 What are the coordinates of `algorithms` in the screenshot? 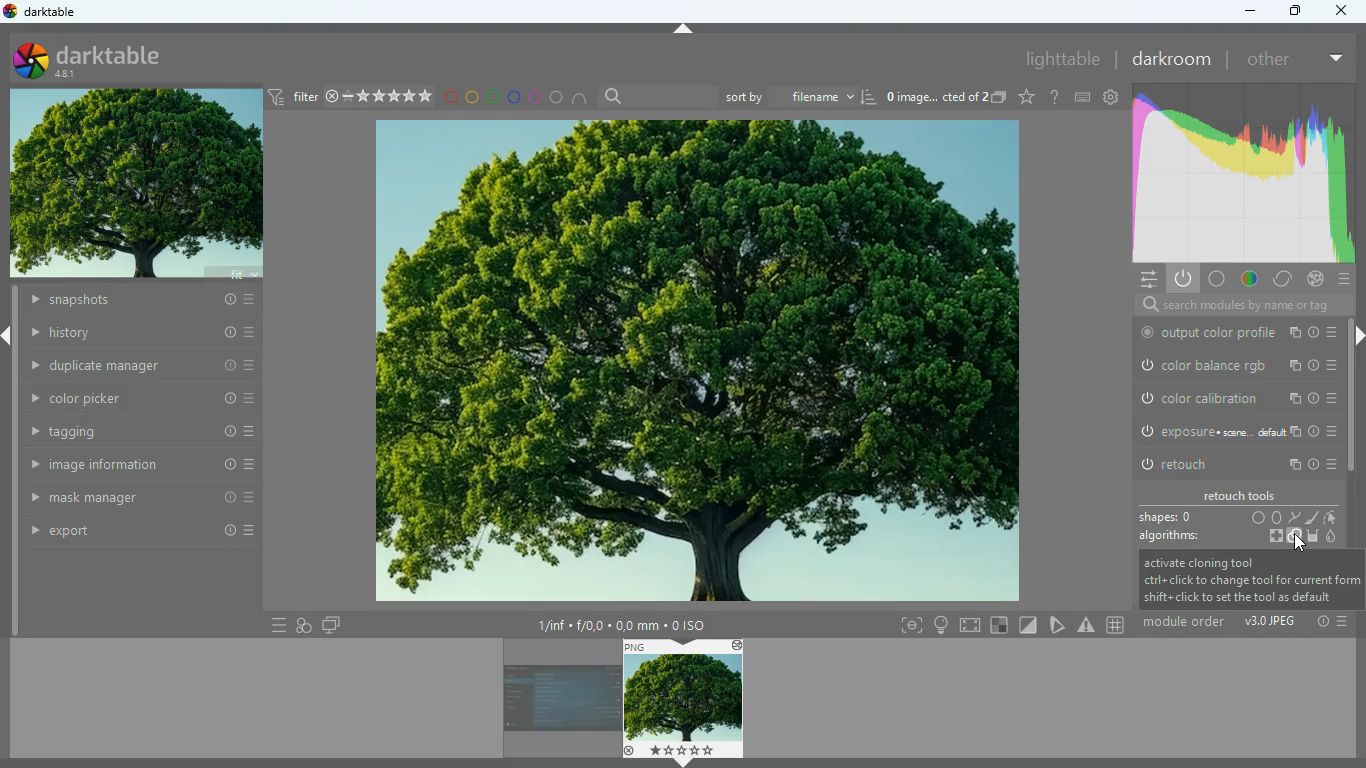 It's located at (1170, 535).